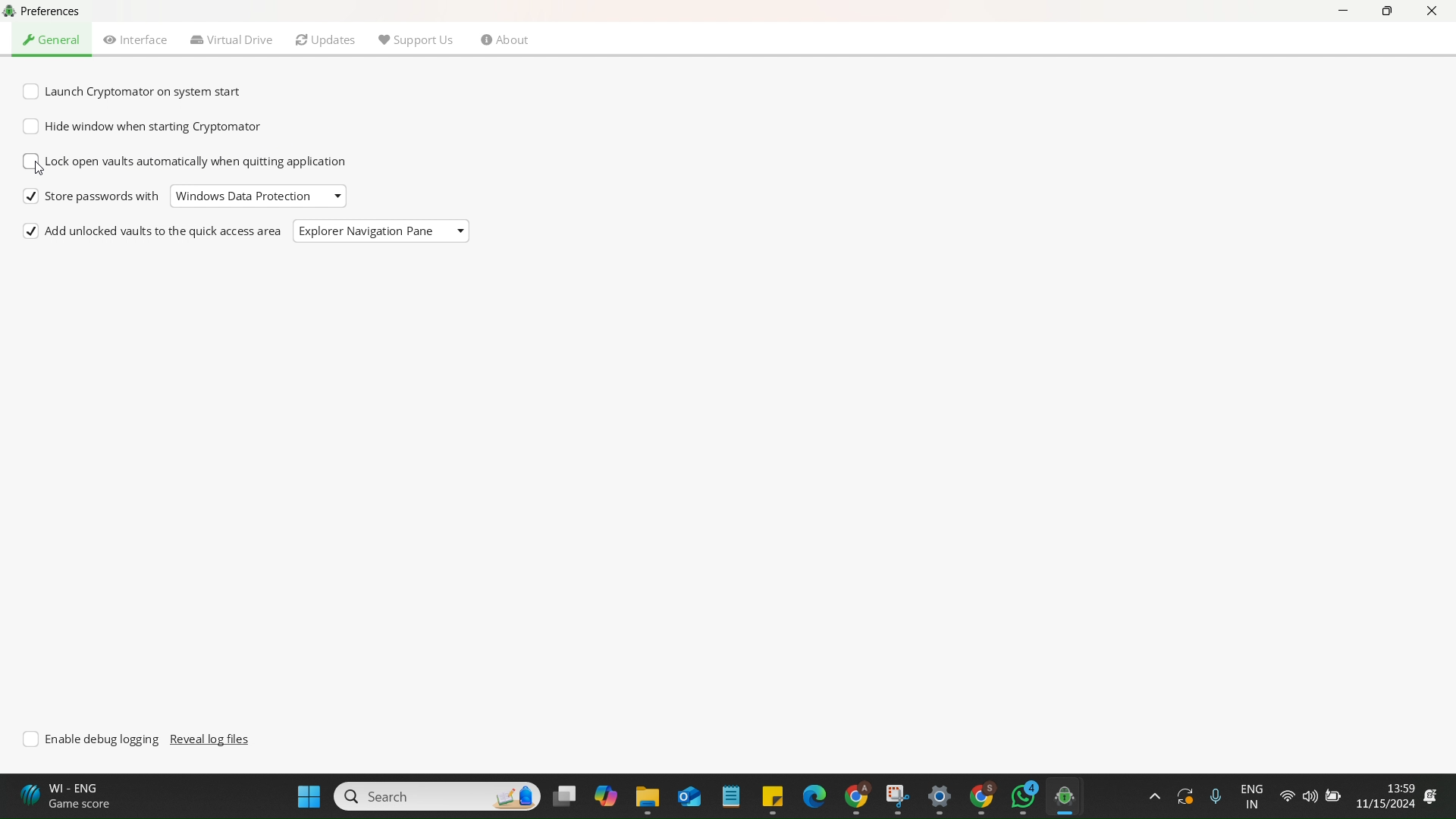 This screenshot has width=1456, height=819. What do you see at coordinates (1254, 797) in the screenshot?
I see `Language` at bounding box center [1254, 797].